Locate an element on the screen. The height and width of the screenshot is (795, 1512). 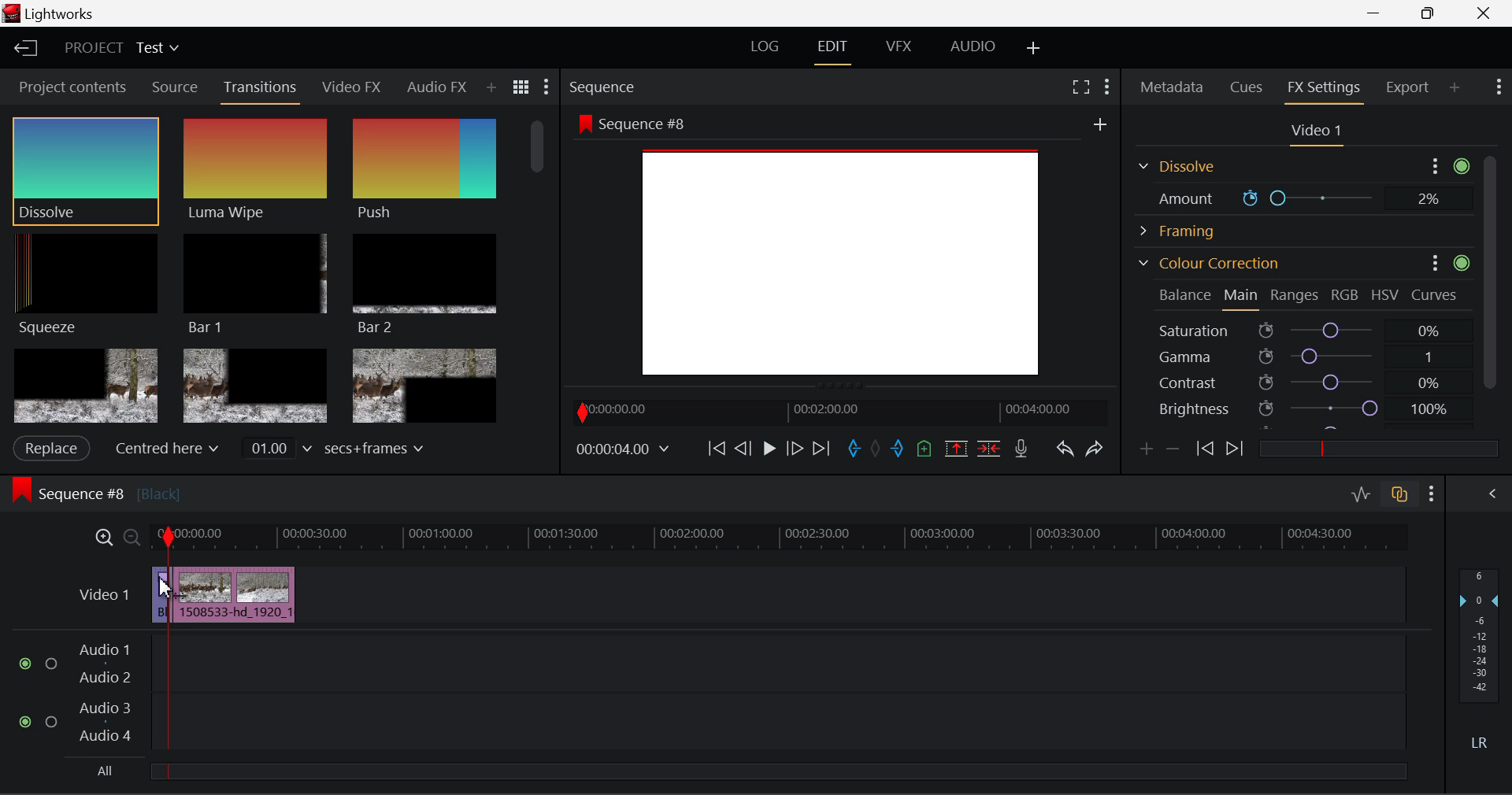
Source is located at coordinates (175, 87).